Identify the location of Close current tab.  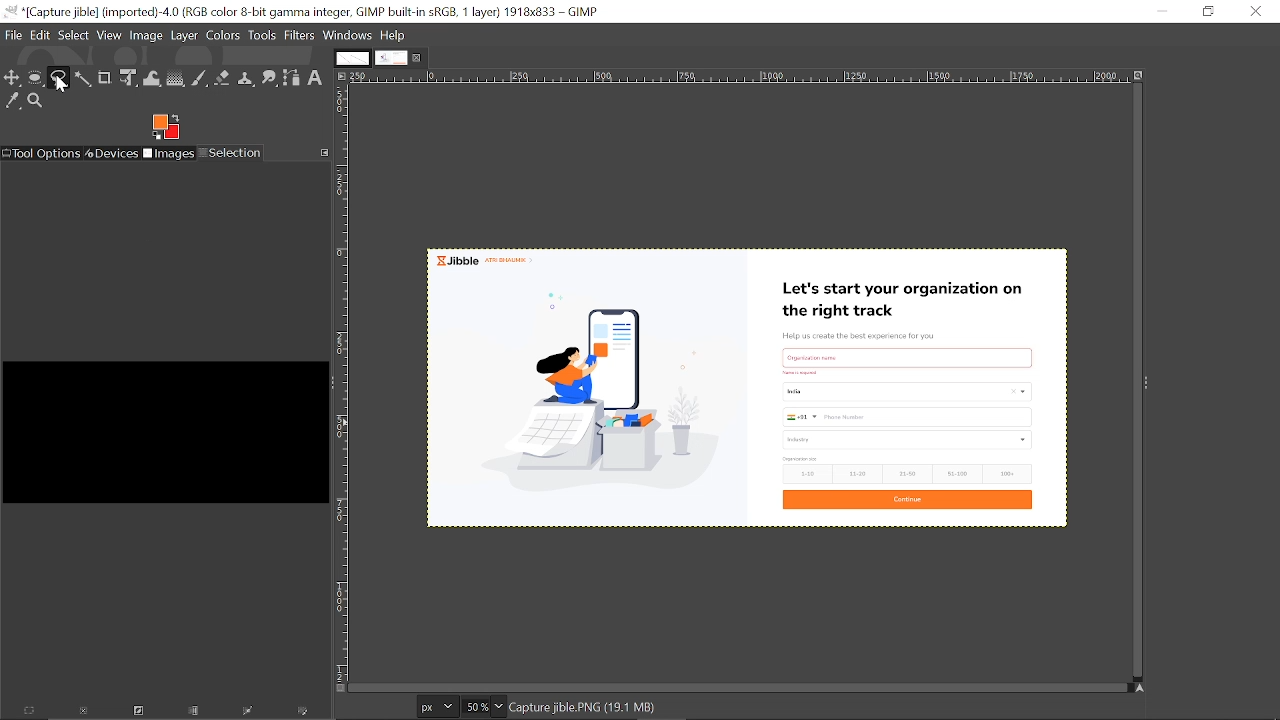
(419, 61).